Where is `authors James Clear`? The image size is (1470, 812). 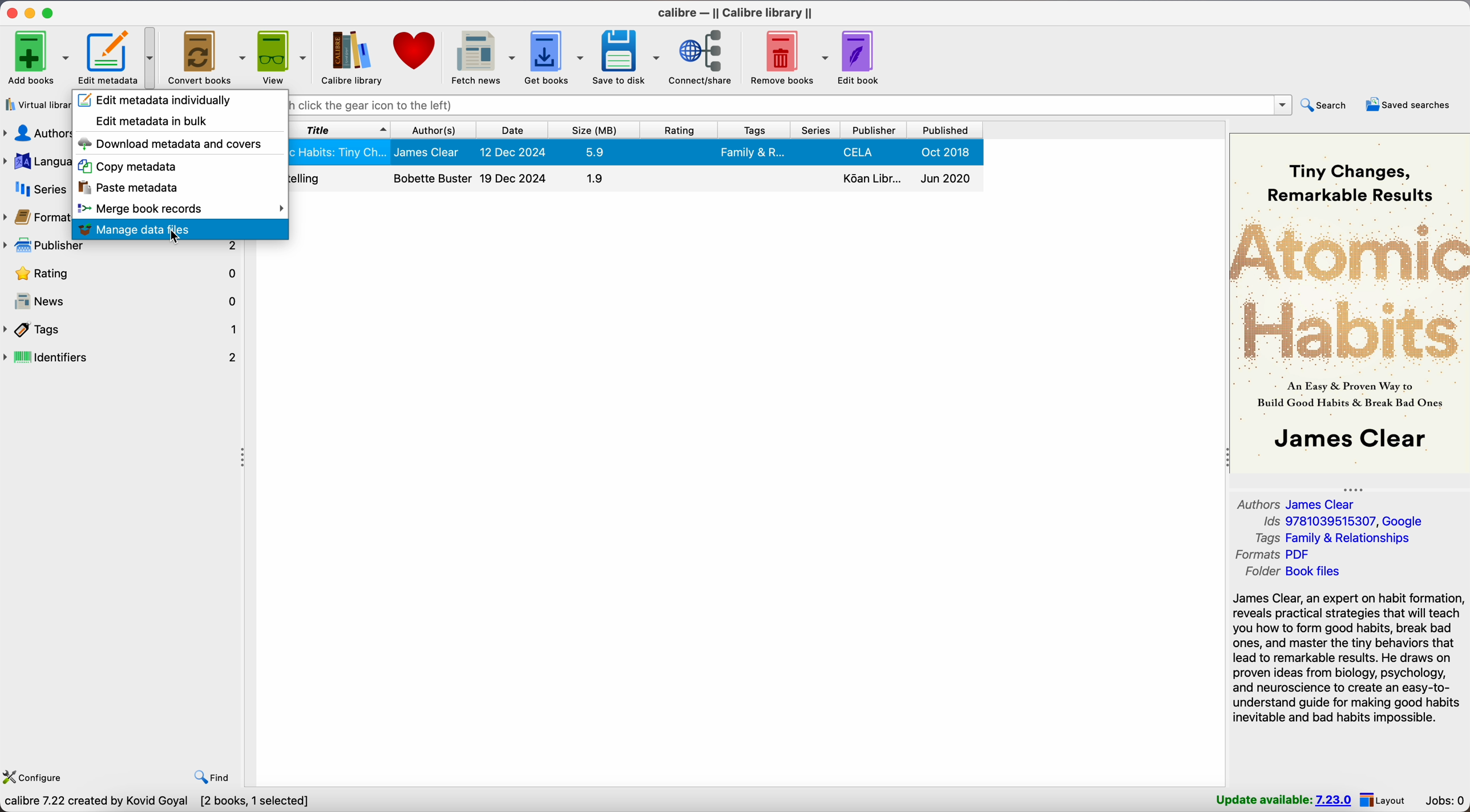 authors James Clear is located at coordinates (1297, 504).